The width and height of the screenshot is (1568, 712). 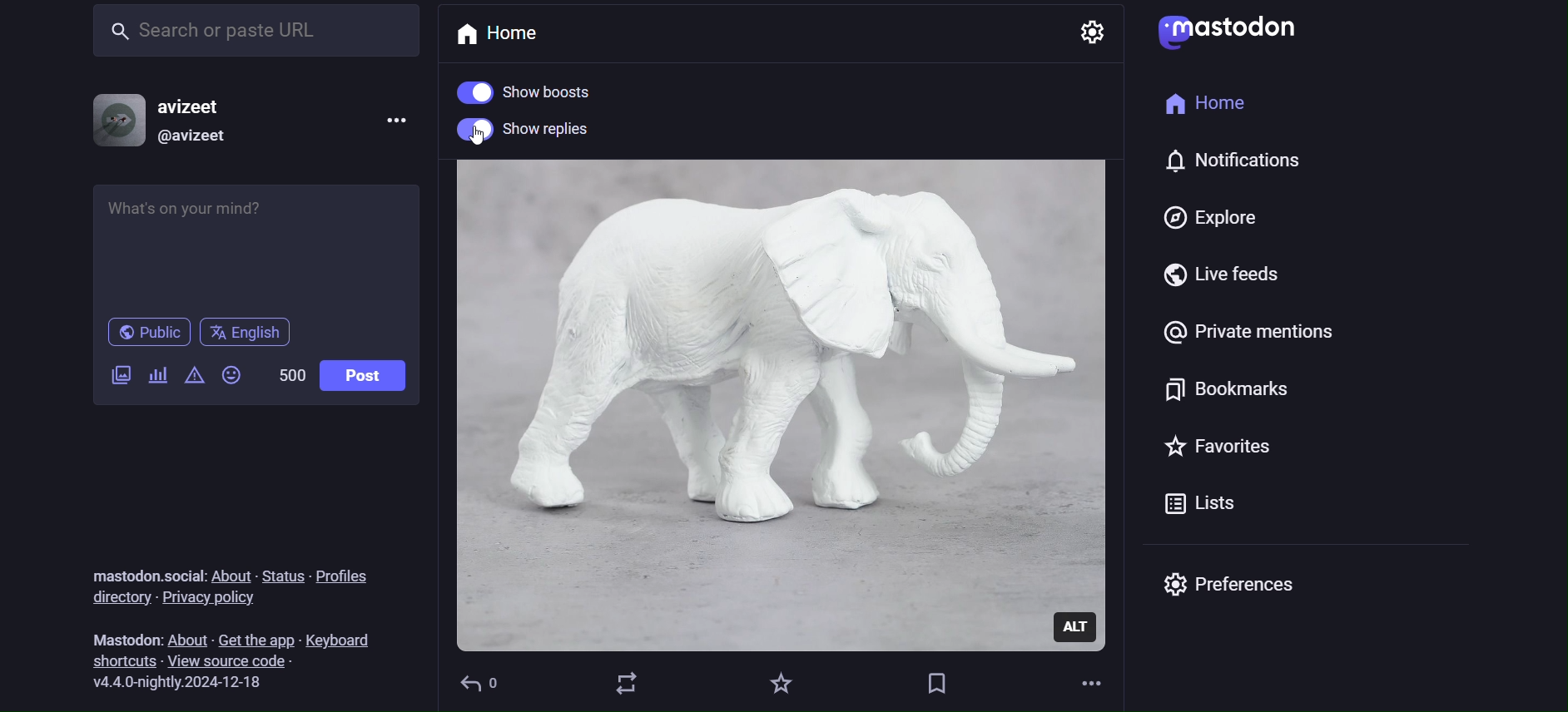 I want to click on home, so click(x=512, y=32).